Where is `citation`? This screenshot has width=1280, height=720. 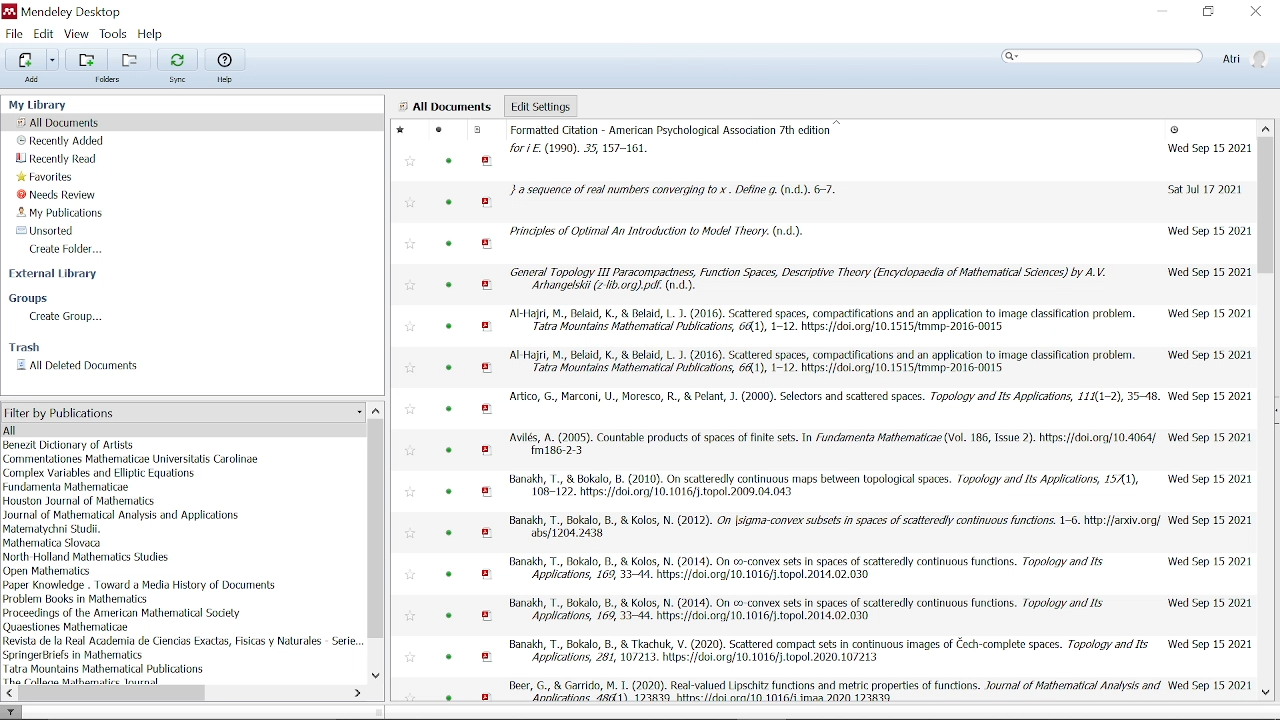 citation is located at coordinates (828, 487).